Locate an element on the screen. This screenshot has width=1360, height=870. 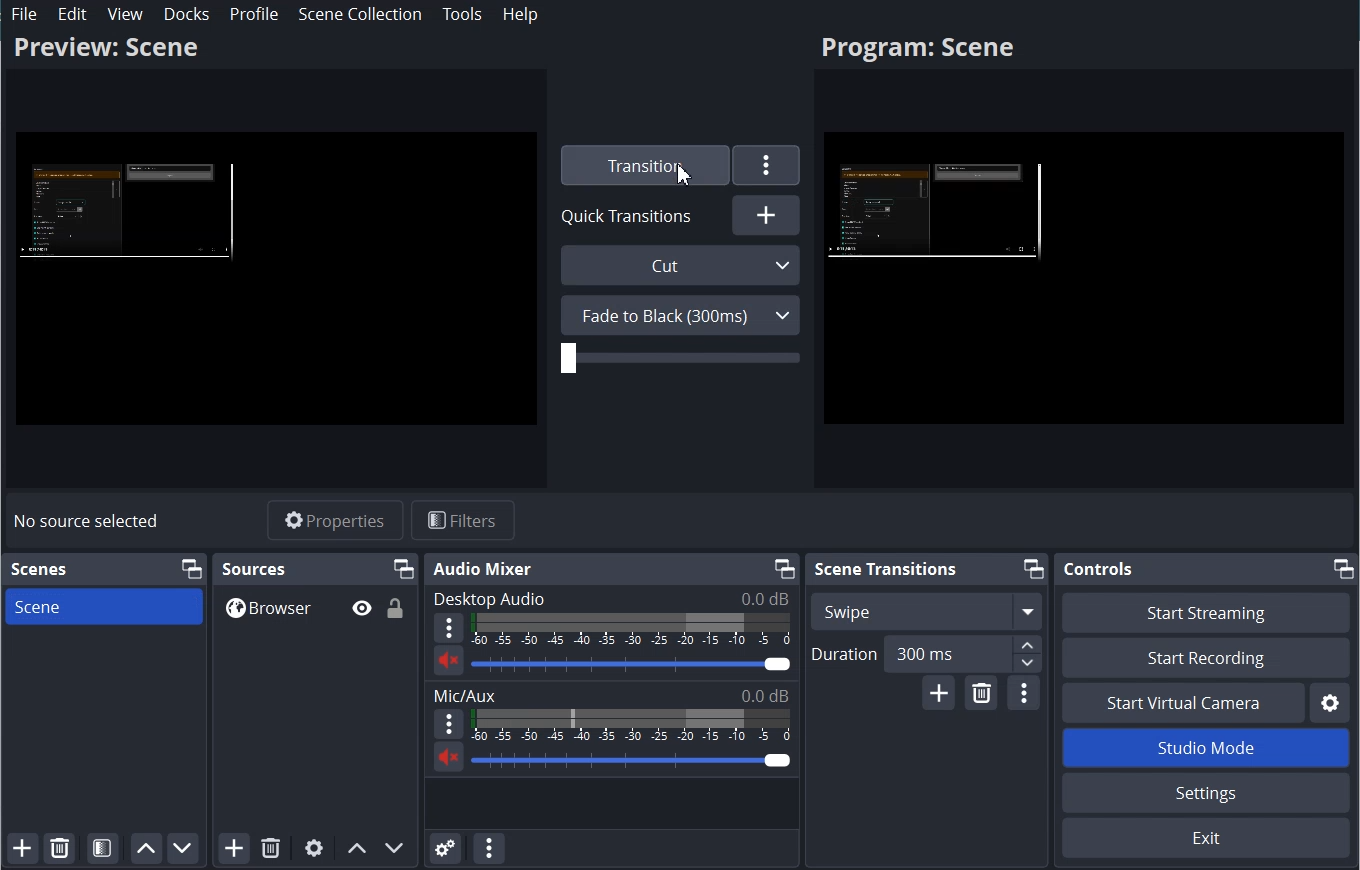
Volume Adjuster is located at coordinates (632, 760).